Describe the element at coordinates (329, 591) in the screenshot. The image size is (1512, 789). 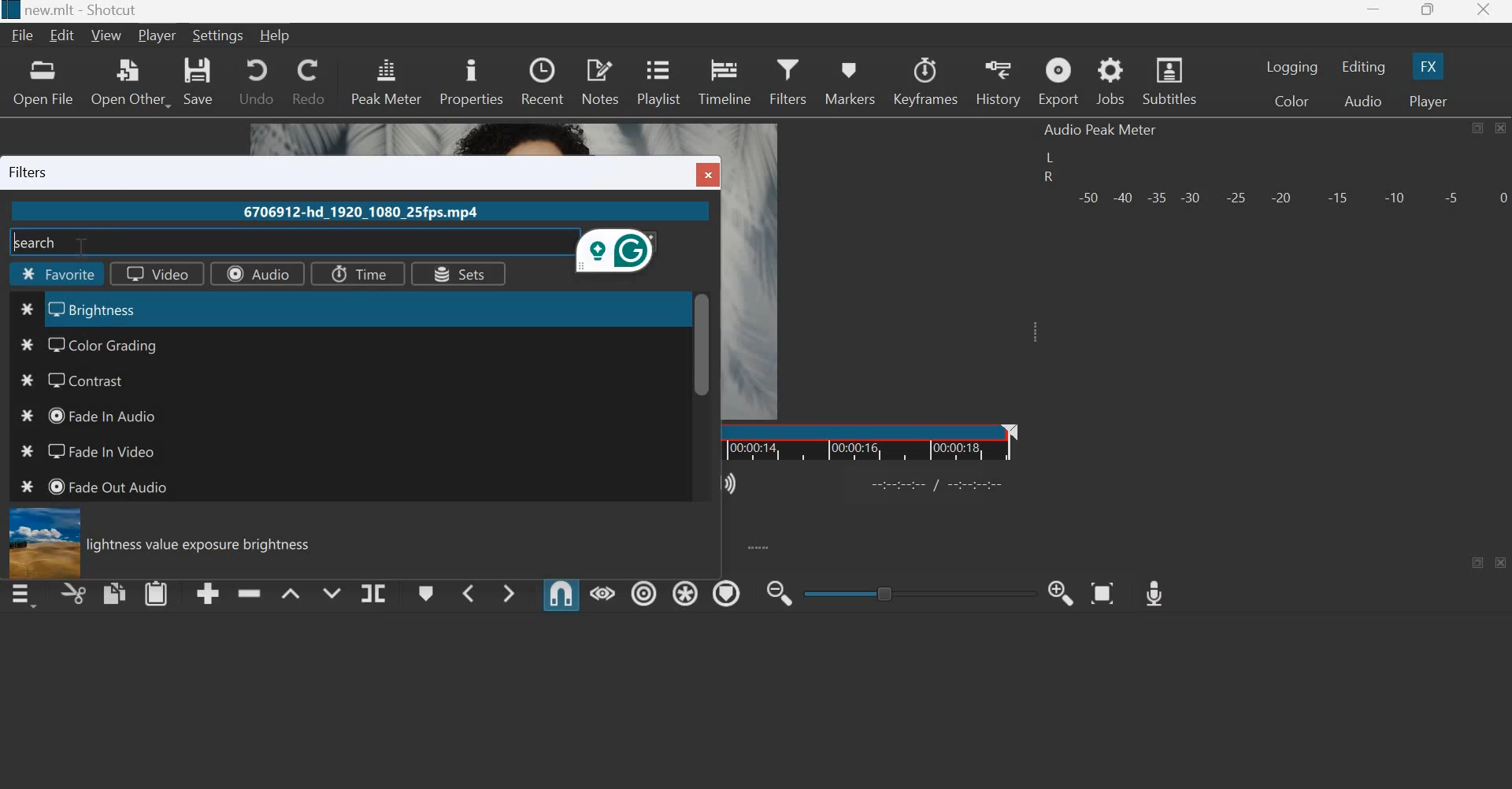
I see `Overwrite` at that location.